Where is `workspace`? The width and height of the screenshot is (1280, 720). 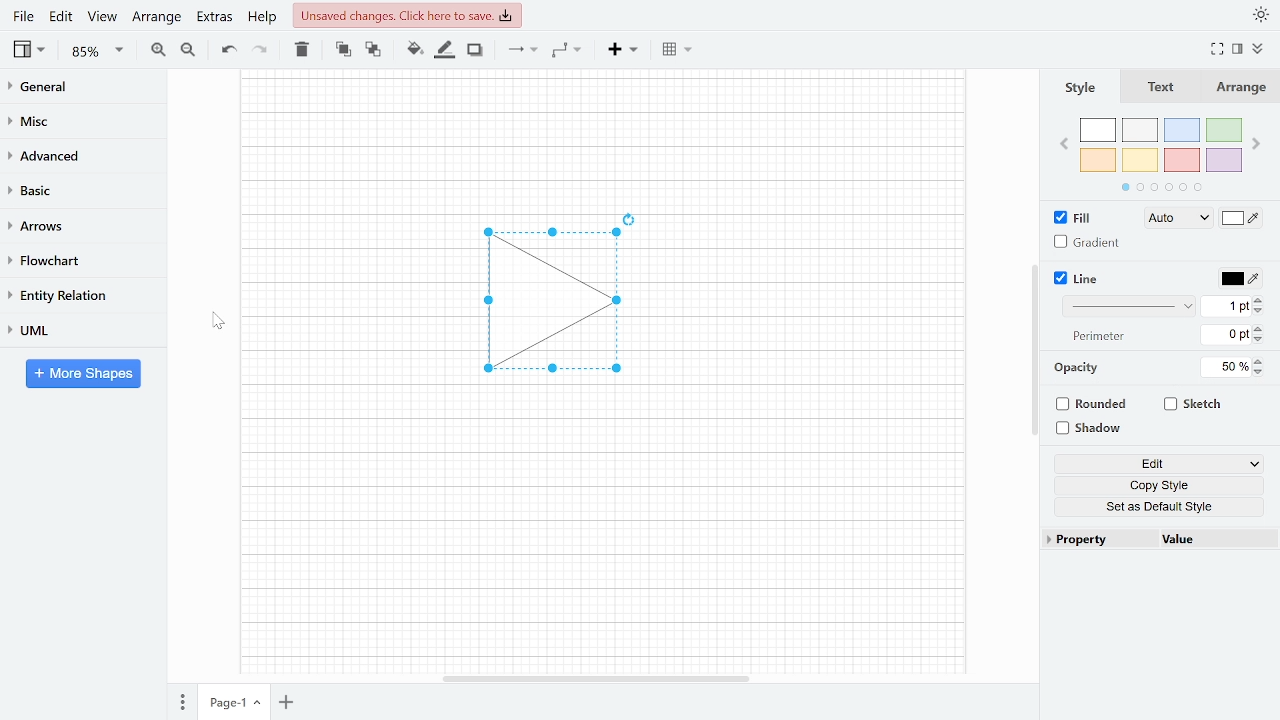
workspace is located at coordinates (601, 535).